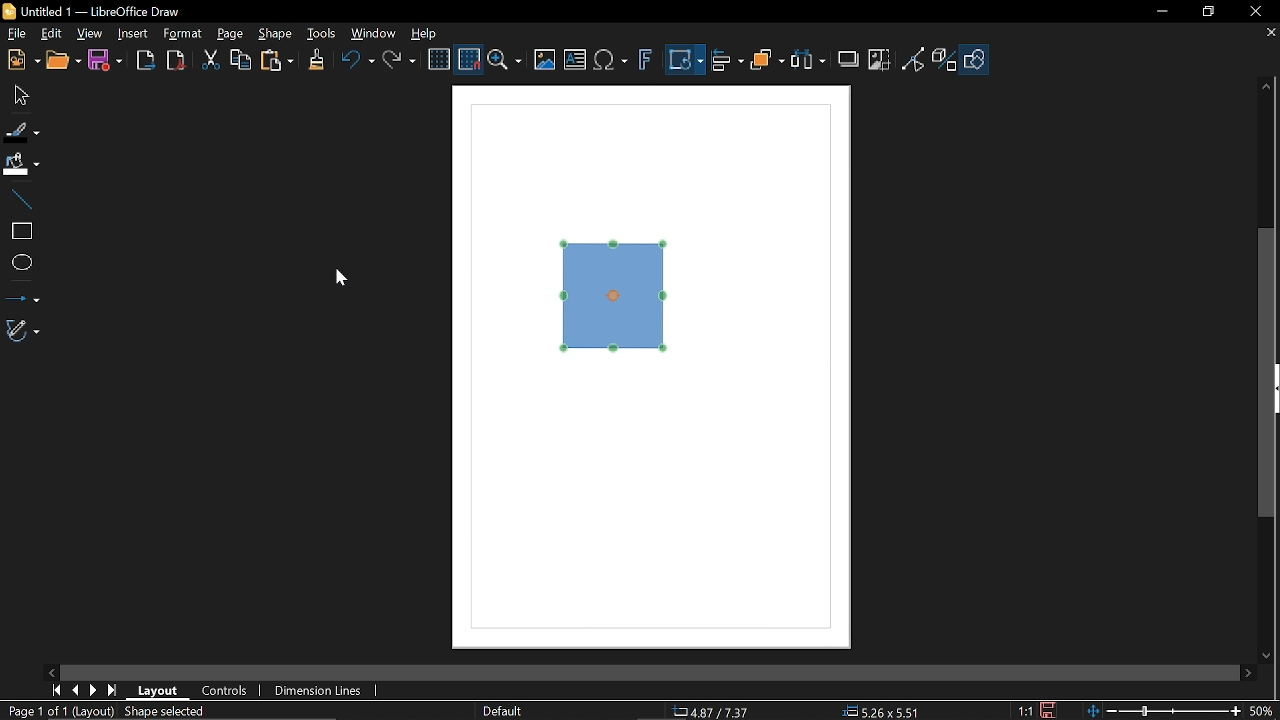 The image size is (1280, 720). What do you see at coordinates (20, 94) in the screenshot?
I see `Move` at bounding box center [20, 94].